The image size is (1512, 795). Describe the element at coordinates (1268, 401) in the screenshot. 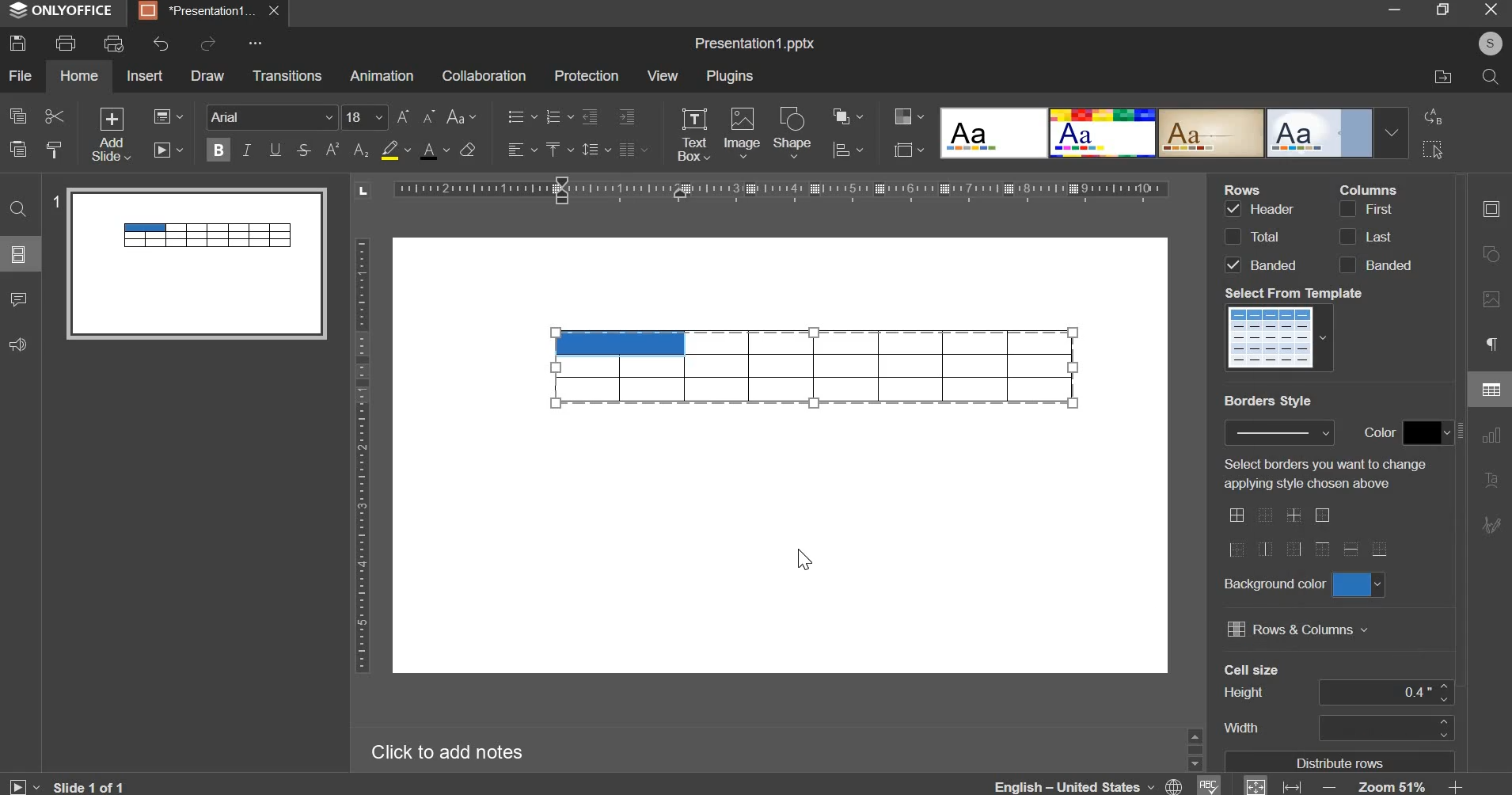

I see `Border Style` at that location.